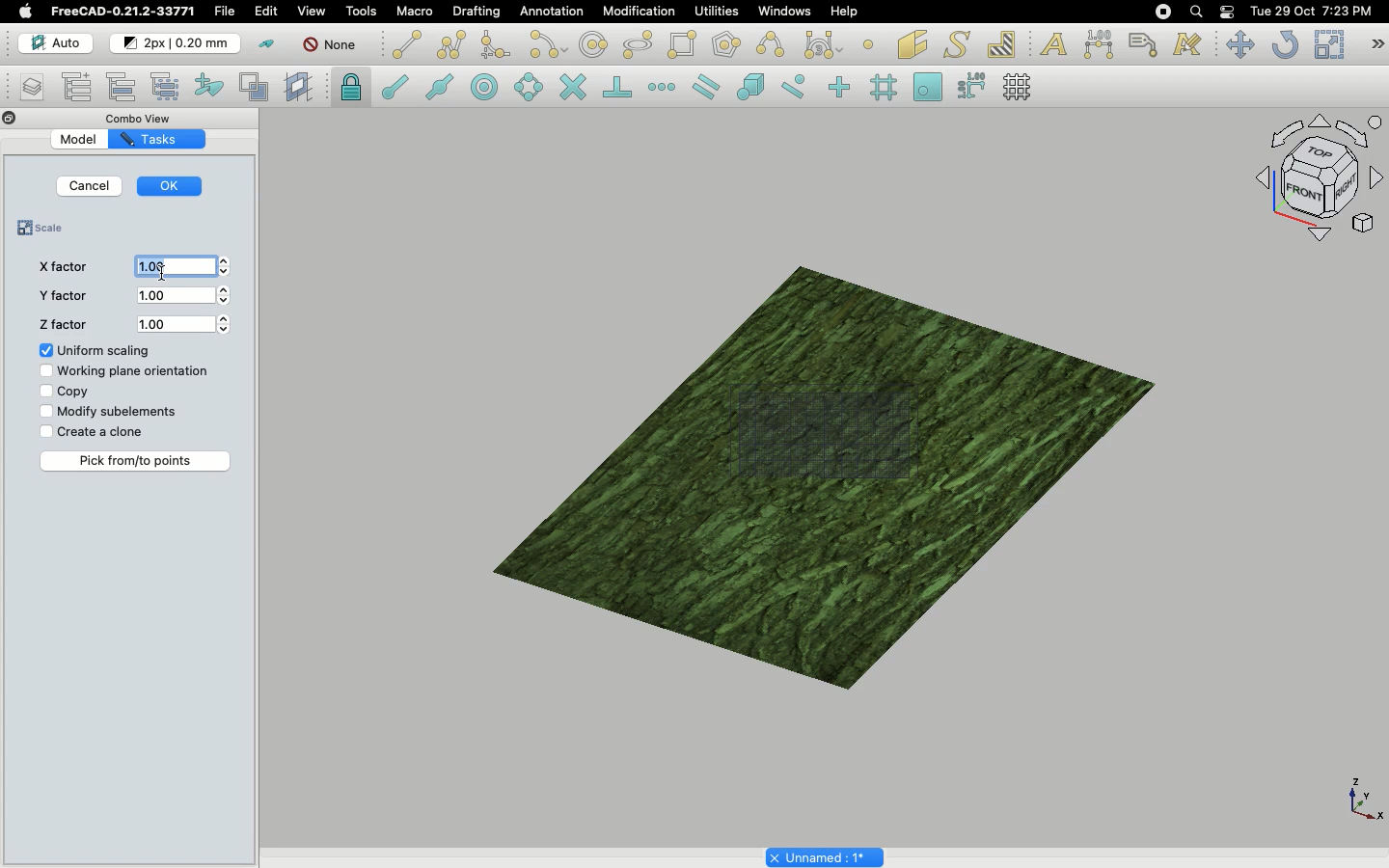  What do you see at coordinates (392, 84) in the screenshot?
I see `Snap endpoint` at bounding box center [392, 84].